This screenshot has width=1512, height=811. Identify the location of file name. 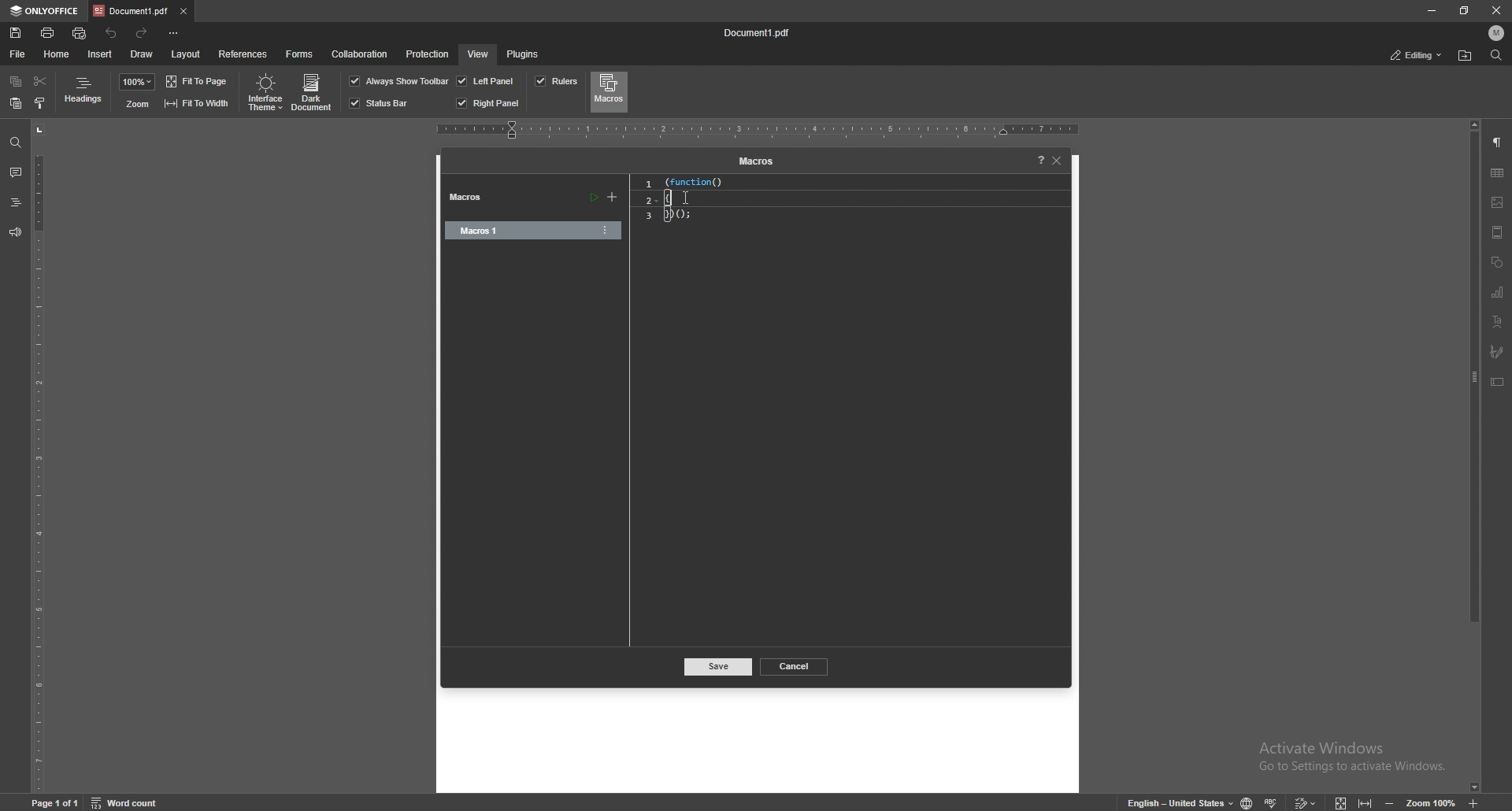
(761, 34).